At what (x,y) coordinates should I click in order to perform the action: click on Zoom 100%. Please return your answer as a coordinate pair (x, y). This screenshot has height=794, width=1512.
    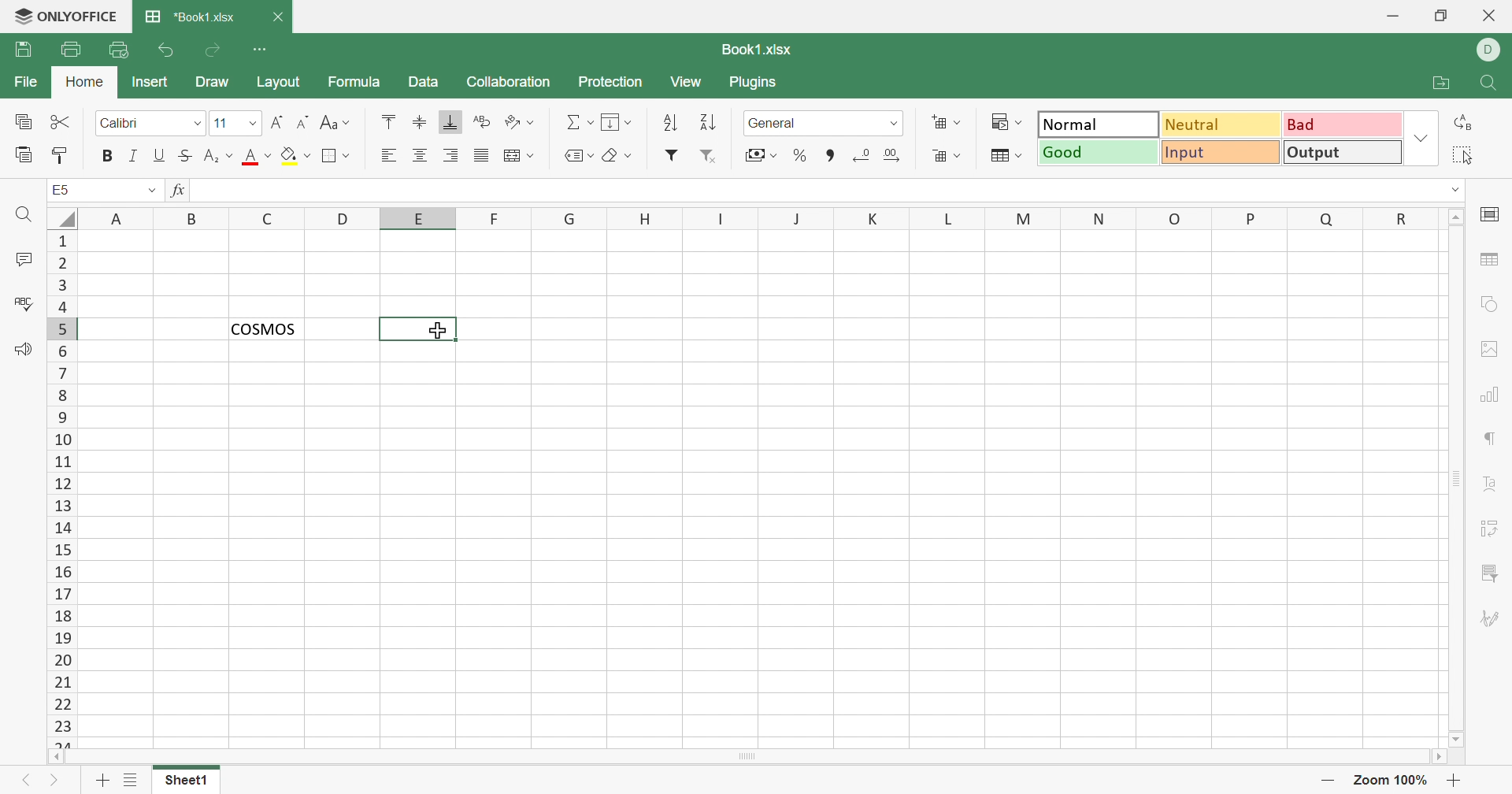
    Looking at the image, I should click on (1392, 781).